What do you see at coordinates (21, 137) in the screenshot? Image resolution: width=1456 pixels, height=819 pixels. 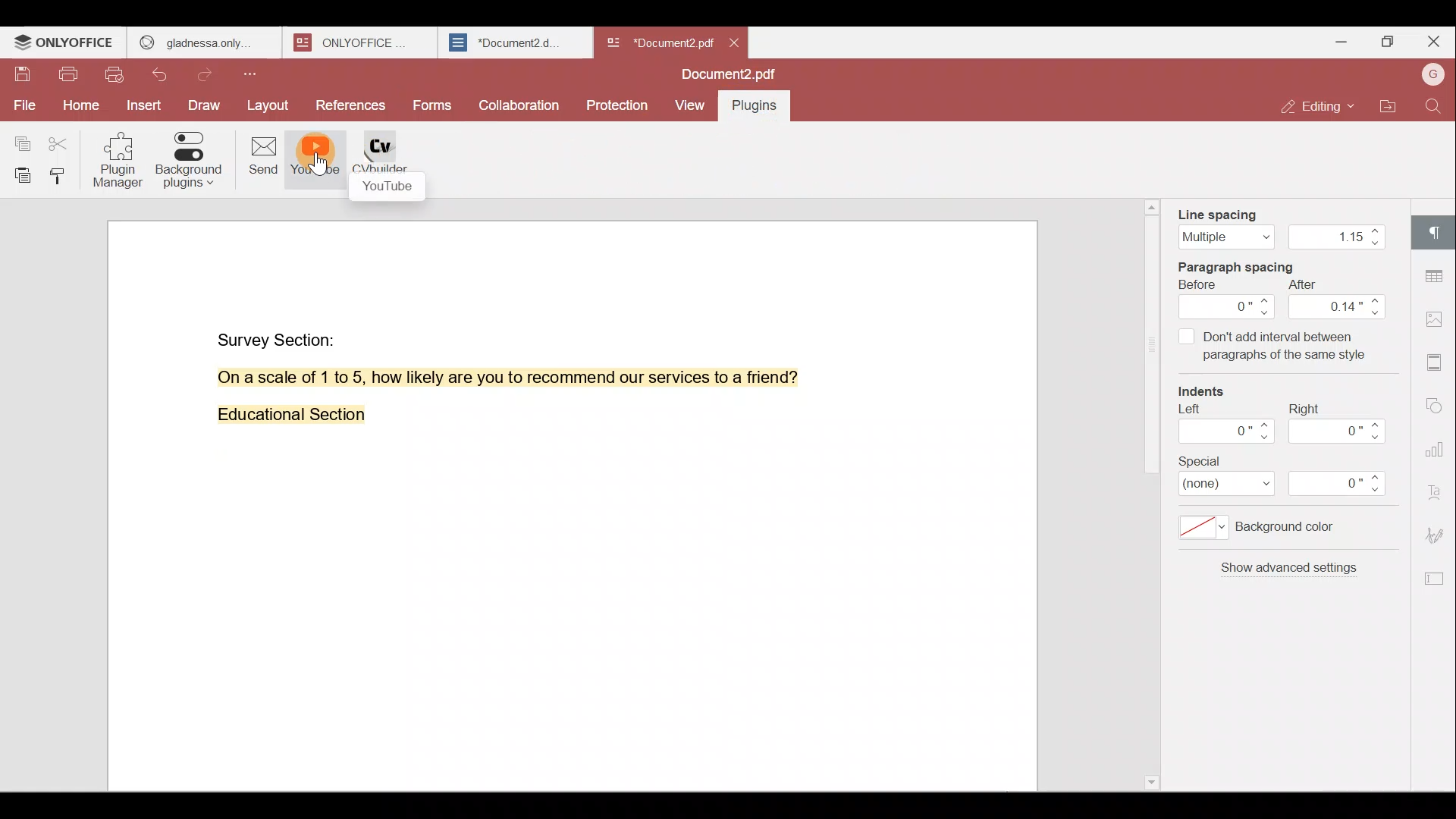 I see `Copy` at bounding box center [21, 137].